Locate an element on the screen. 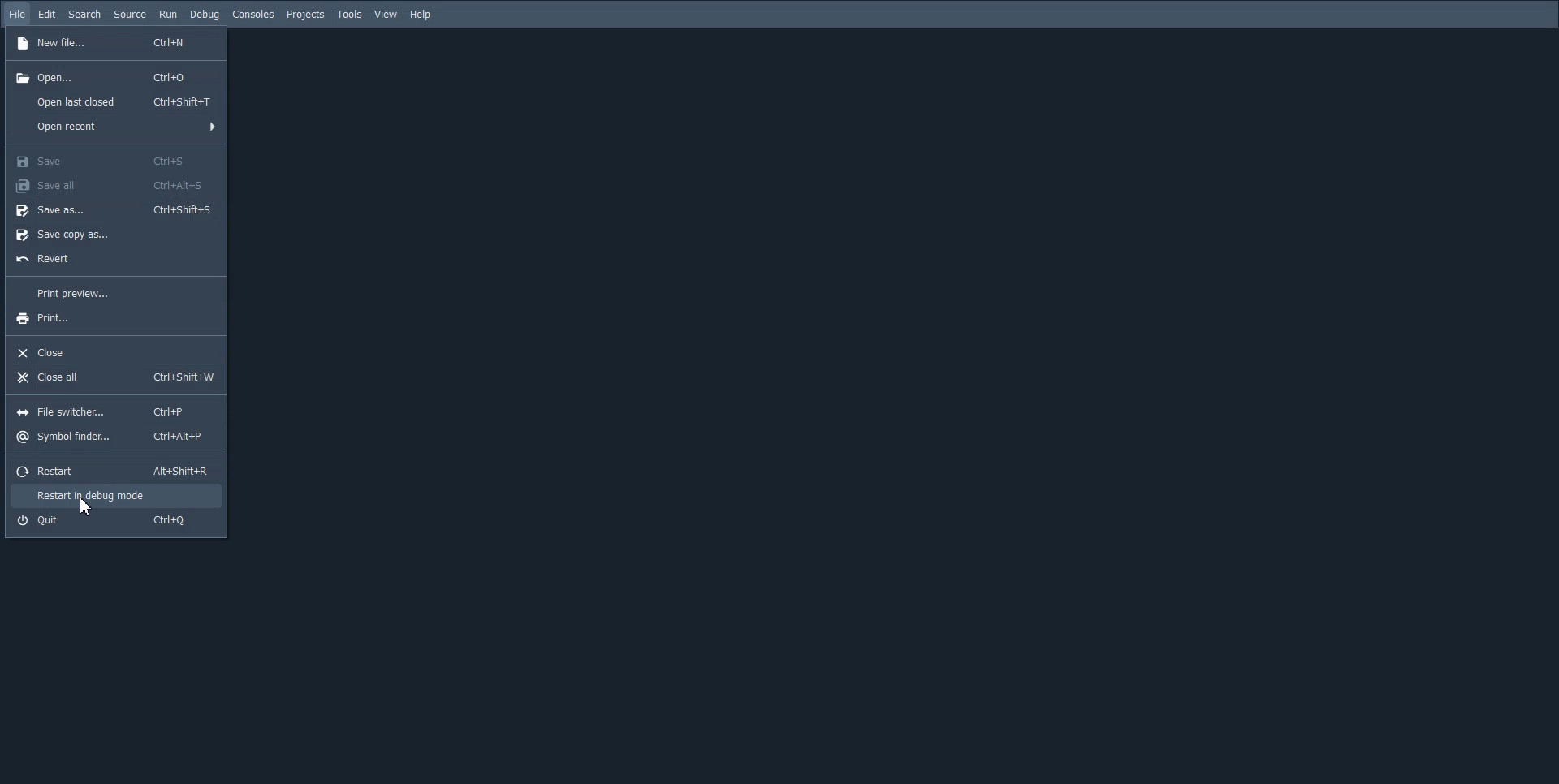  Save all is located at coordinates (114, 185).